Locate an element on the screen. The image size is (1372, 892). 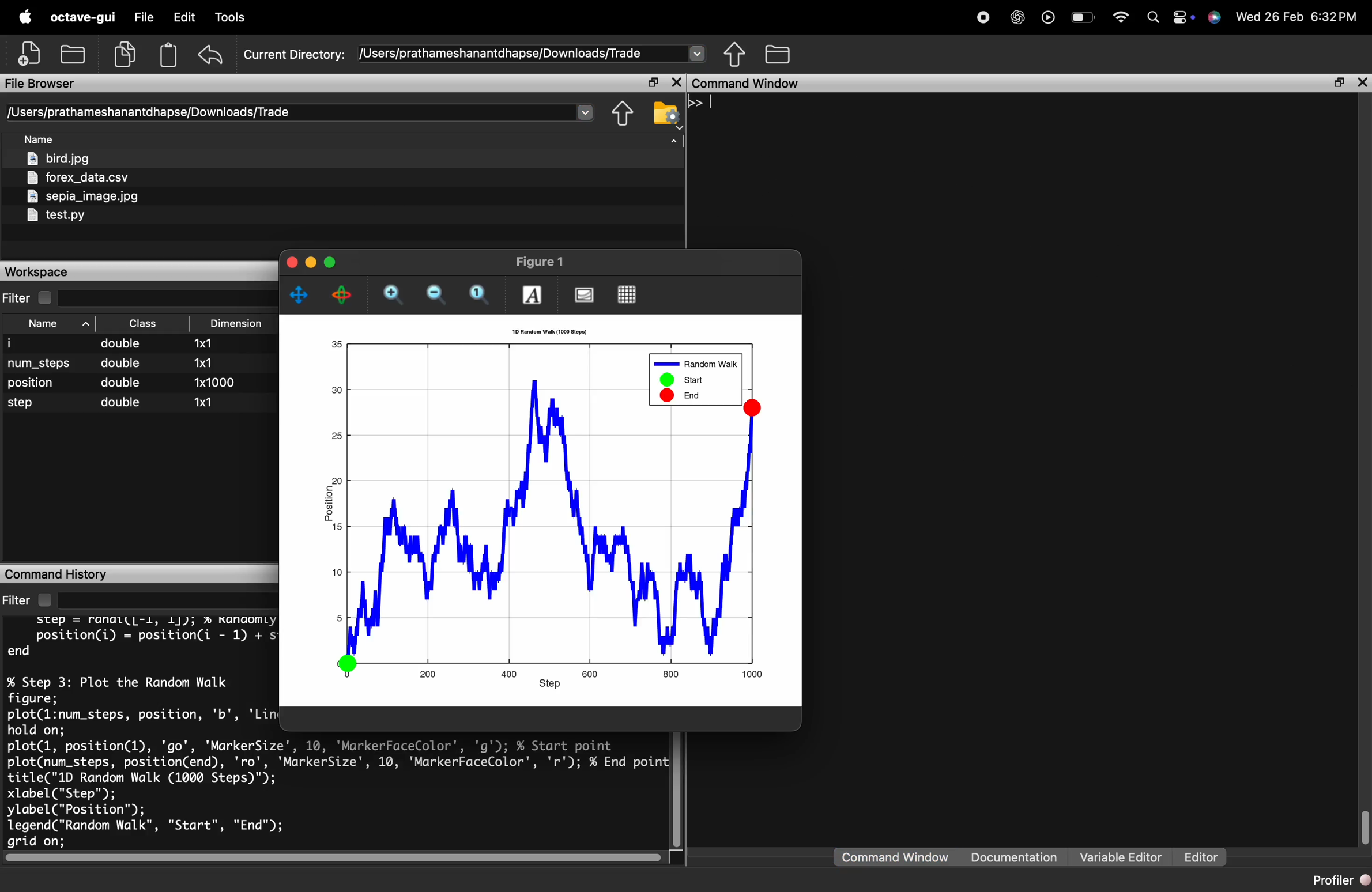
undo is located at coordinates (212, 54).